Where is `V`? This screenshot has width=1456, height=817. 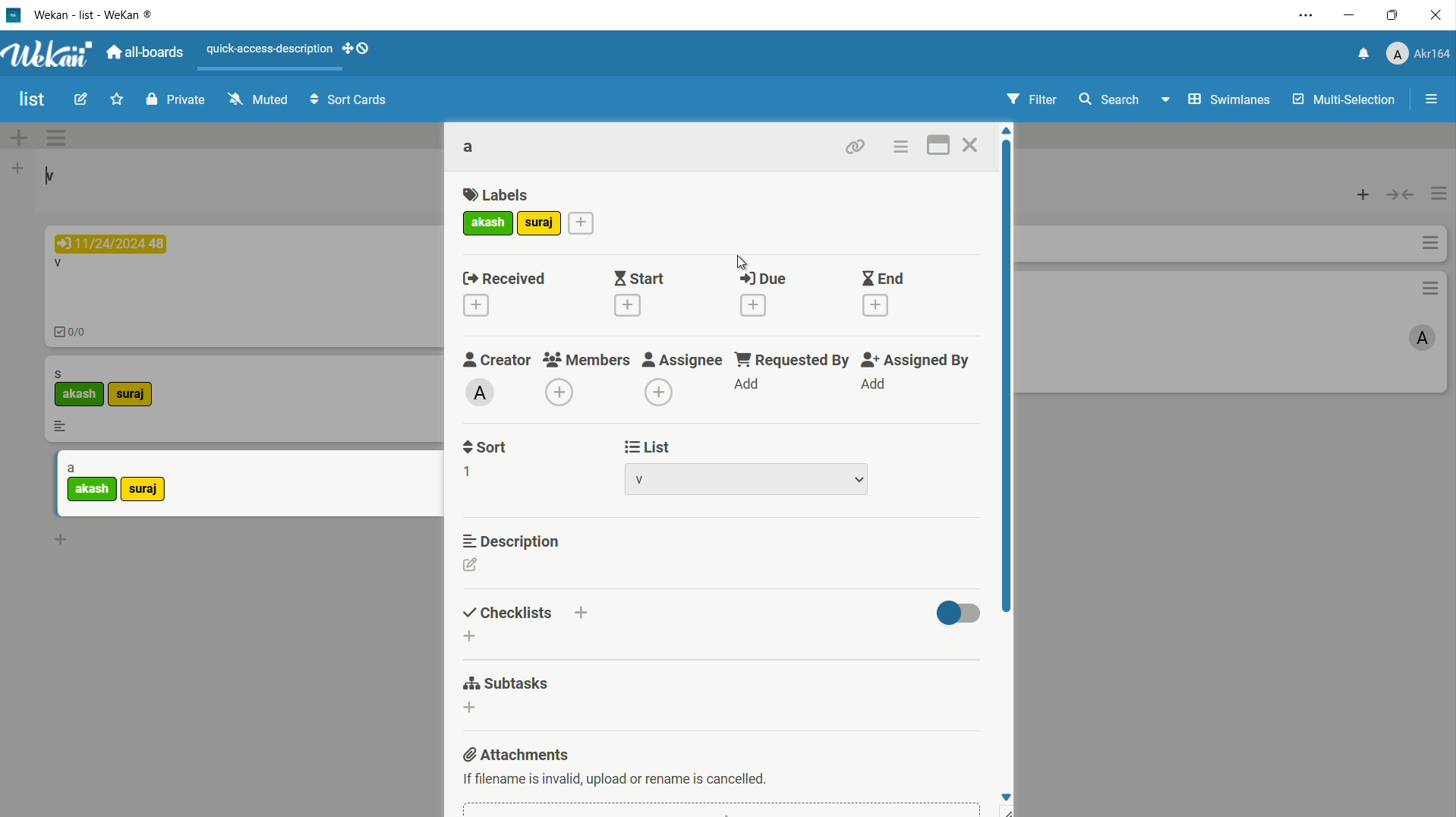
V is located at coordinates (57, 264).